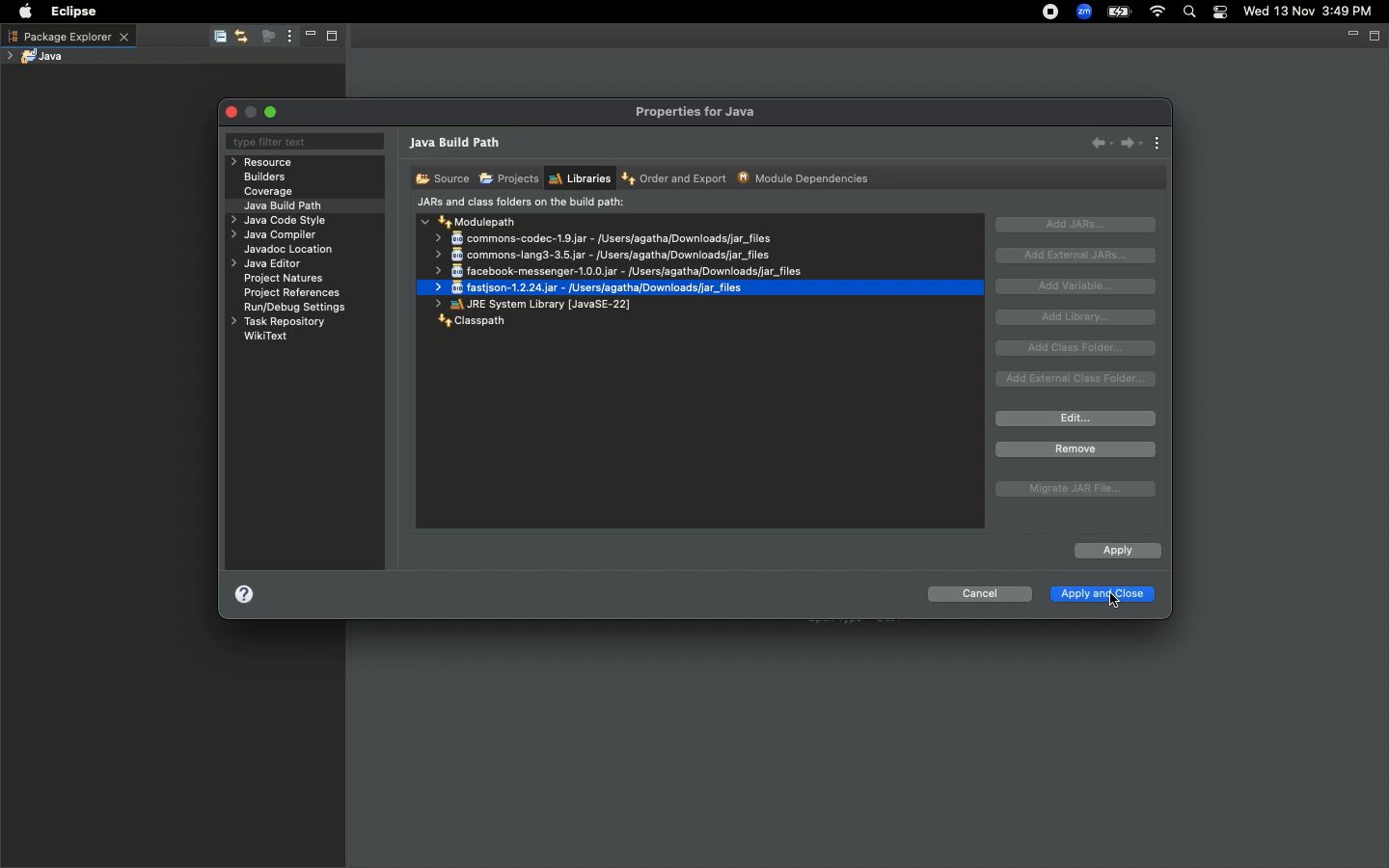 The width and height of the screenshot is (1389, 868). Describe the element at coordinates (264, 162) in the screenshot. I see `Resource` at that location.